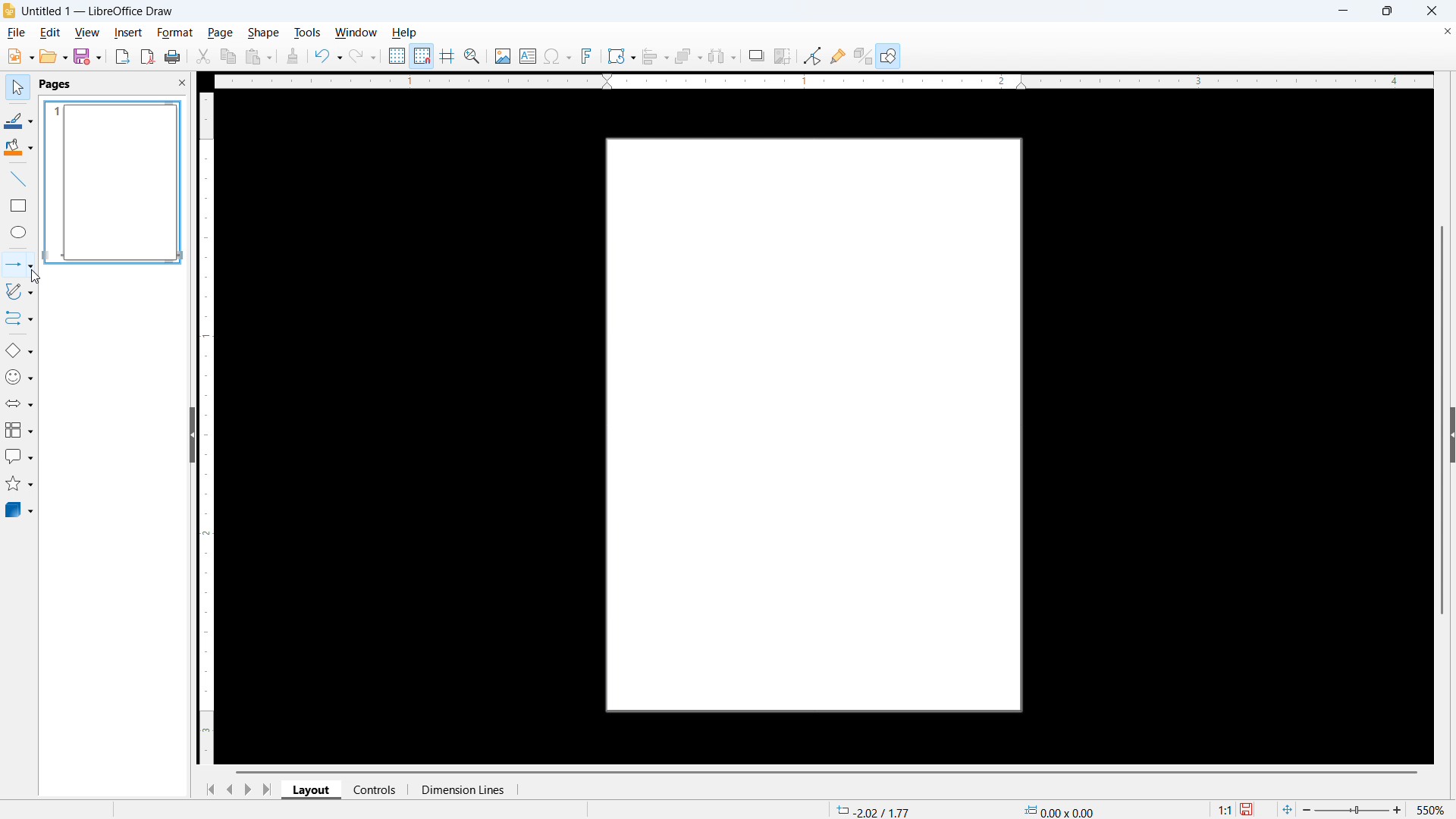 This screenshot has height=819, width=1456. Describe the element at coordinates (756, 55) in the screenshot. I see `Shadow ` at that location.